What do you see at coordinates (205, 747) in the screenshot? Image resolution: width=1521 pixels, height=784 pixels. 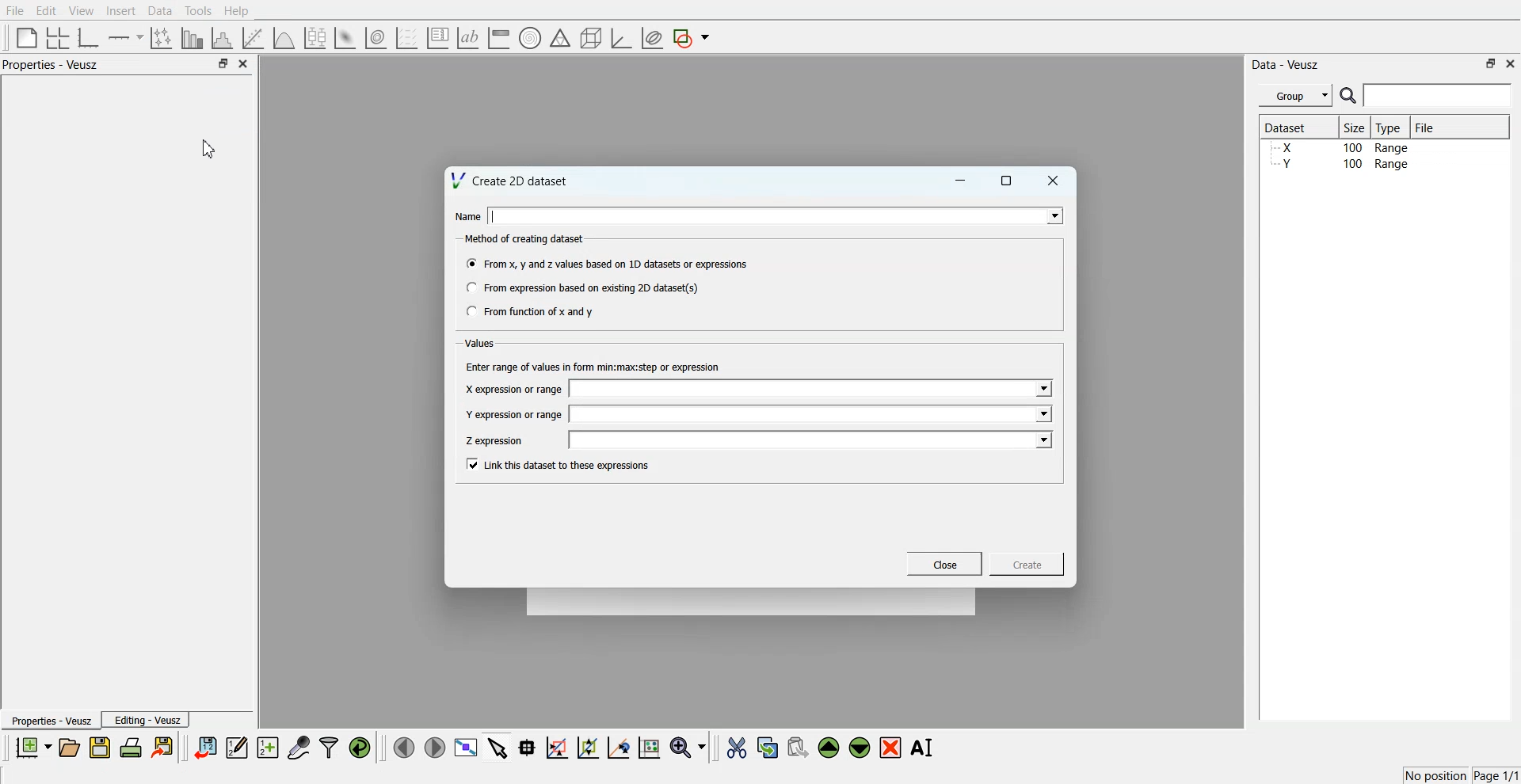 I see `Import dataset from veusz` at bounding box center [205, 747].